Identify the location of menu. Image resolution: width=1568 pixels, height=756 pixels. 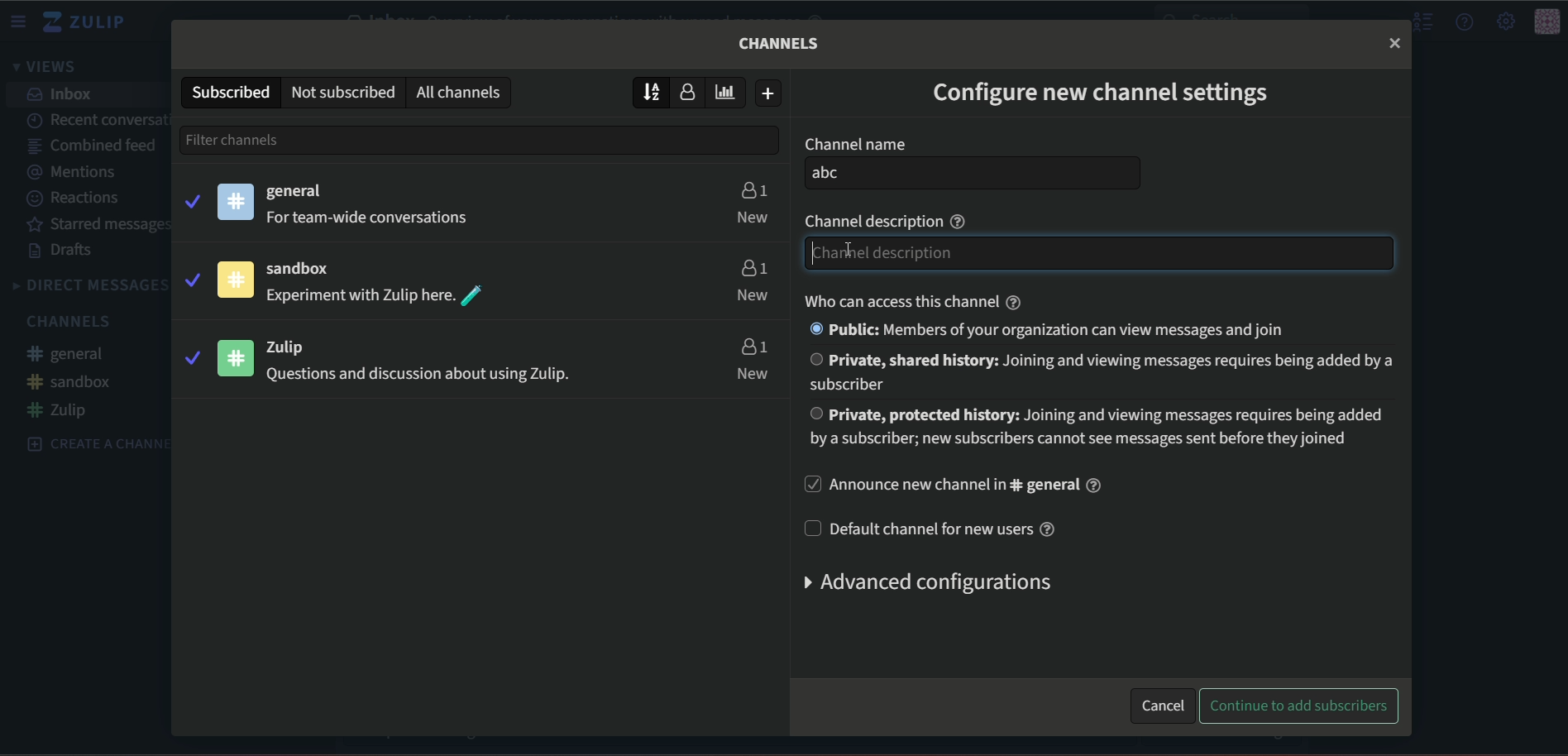
(21, 22).